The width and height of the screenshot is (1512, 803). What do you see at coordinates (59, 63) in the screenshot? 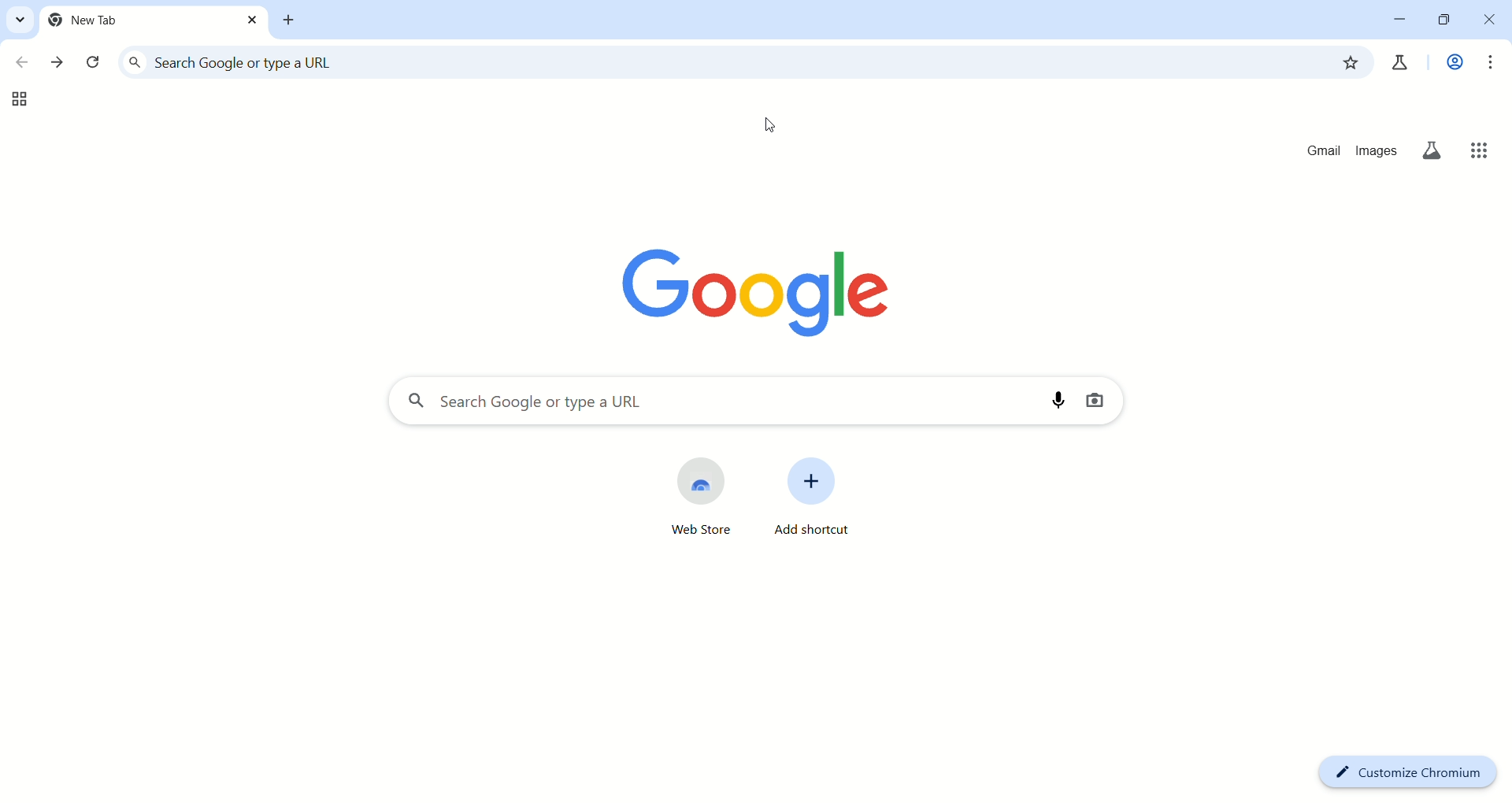
I see `go forward` at bounding box center [59, 63].